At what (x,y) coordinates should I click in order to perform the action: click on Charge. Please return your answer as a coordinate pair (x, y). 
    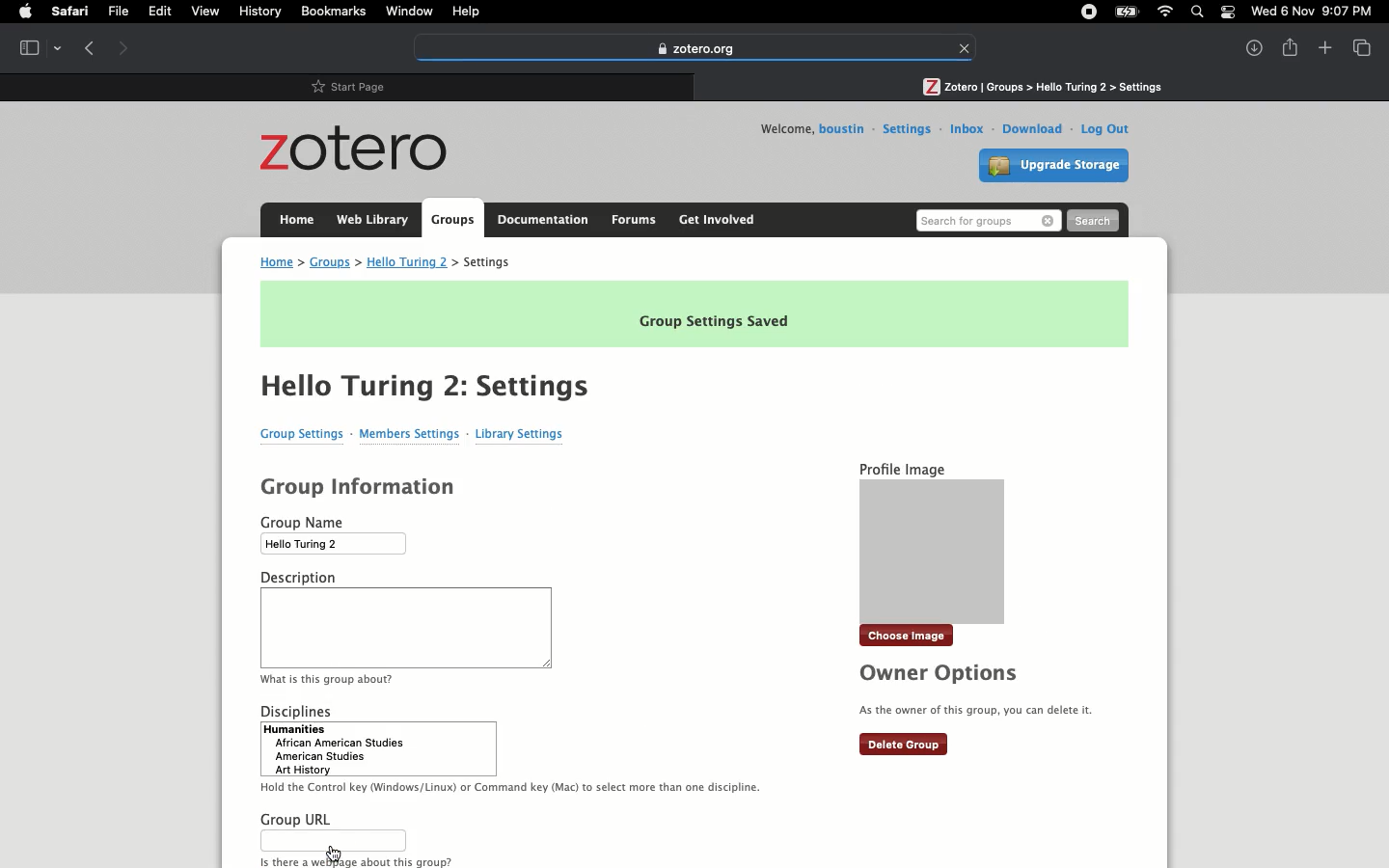
    Looking at the image, I should click on (1123, 12).